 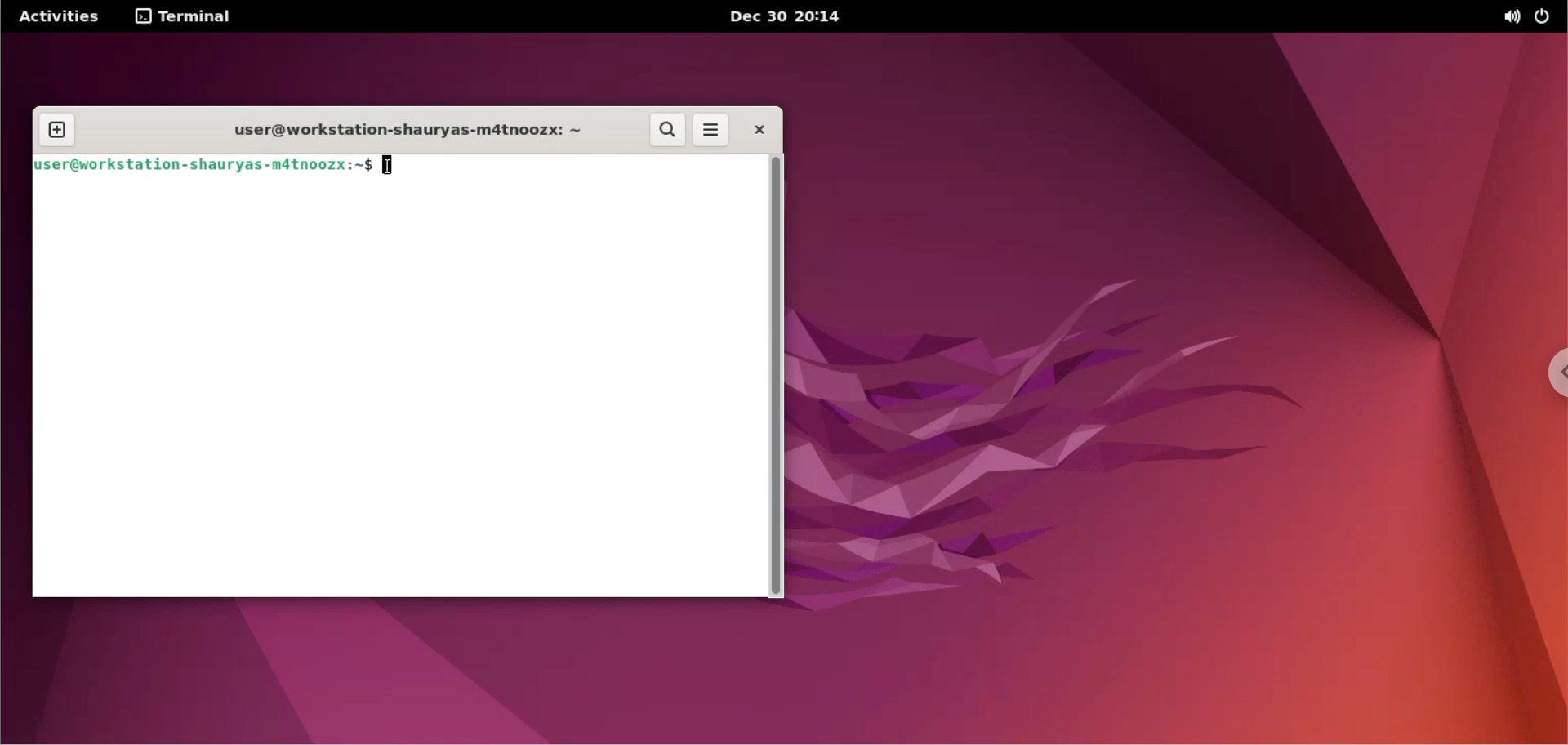 What do you see at coordinates (1547, 368) in the screenshot?
I see `chrome options` at bounding box center [1547, 368].